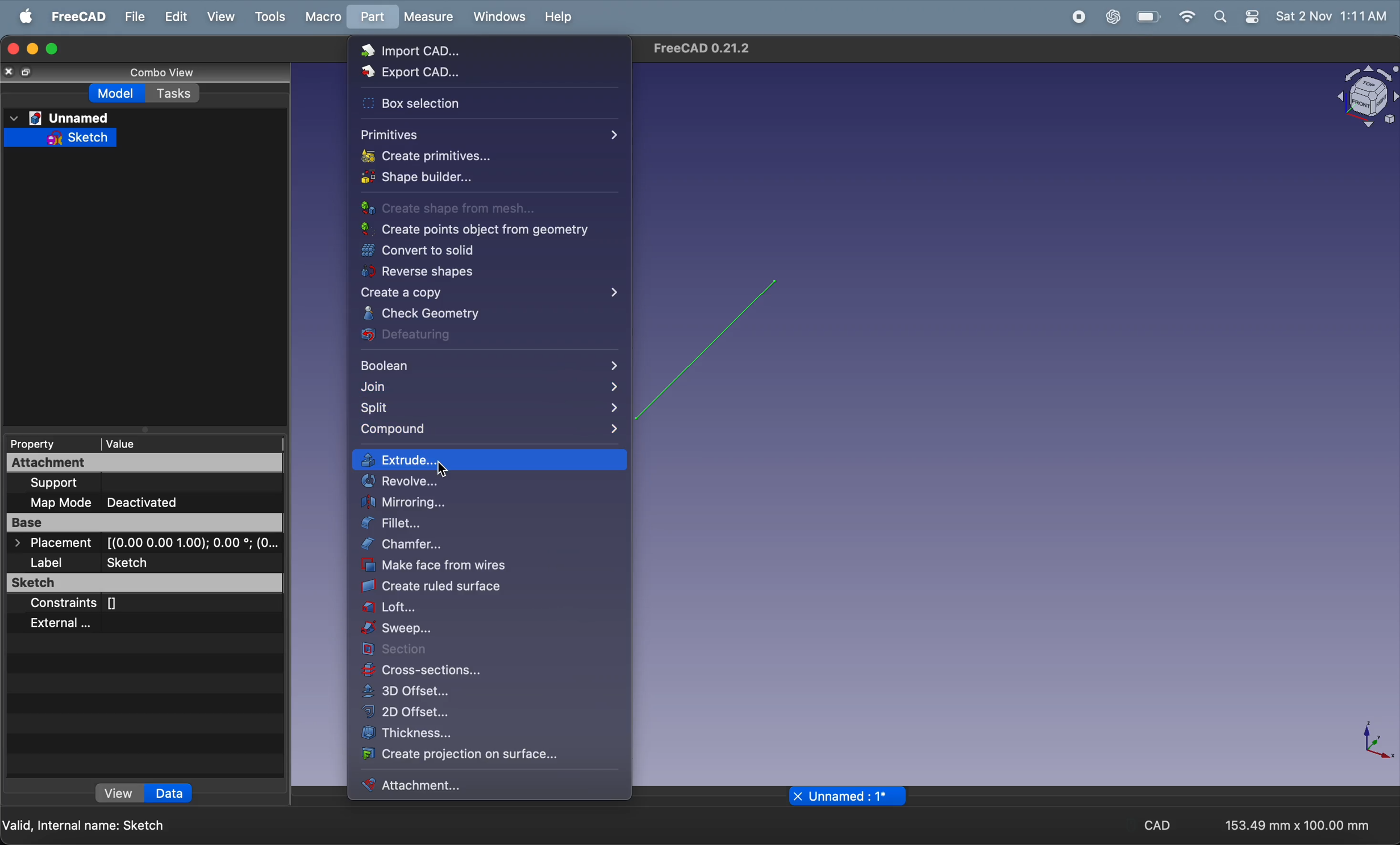  Describe the element at coordinates (492, 503) in the screenshot. I see `mirroring...` at that location.